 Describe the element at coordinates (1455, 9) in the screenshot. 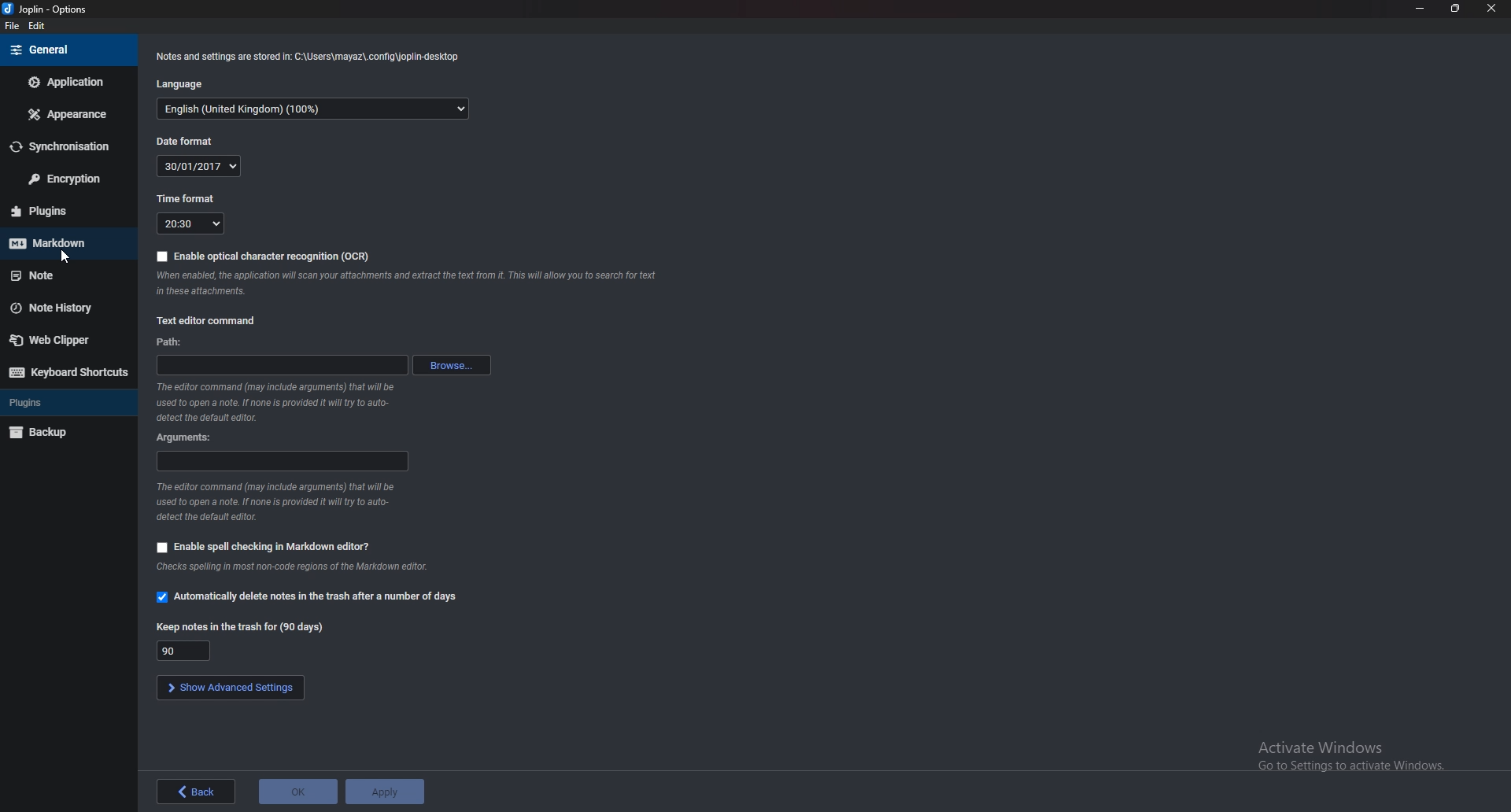

I see `resize` at that location.